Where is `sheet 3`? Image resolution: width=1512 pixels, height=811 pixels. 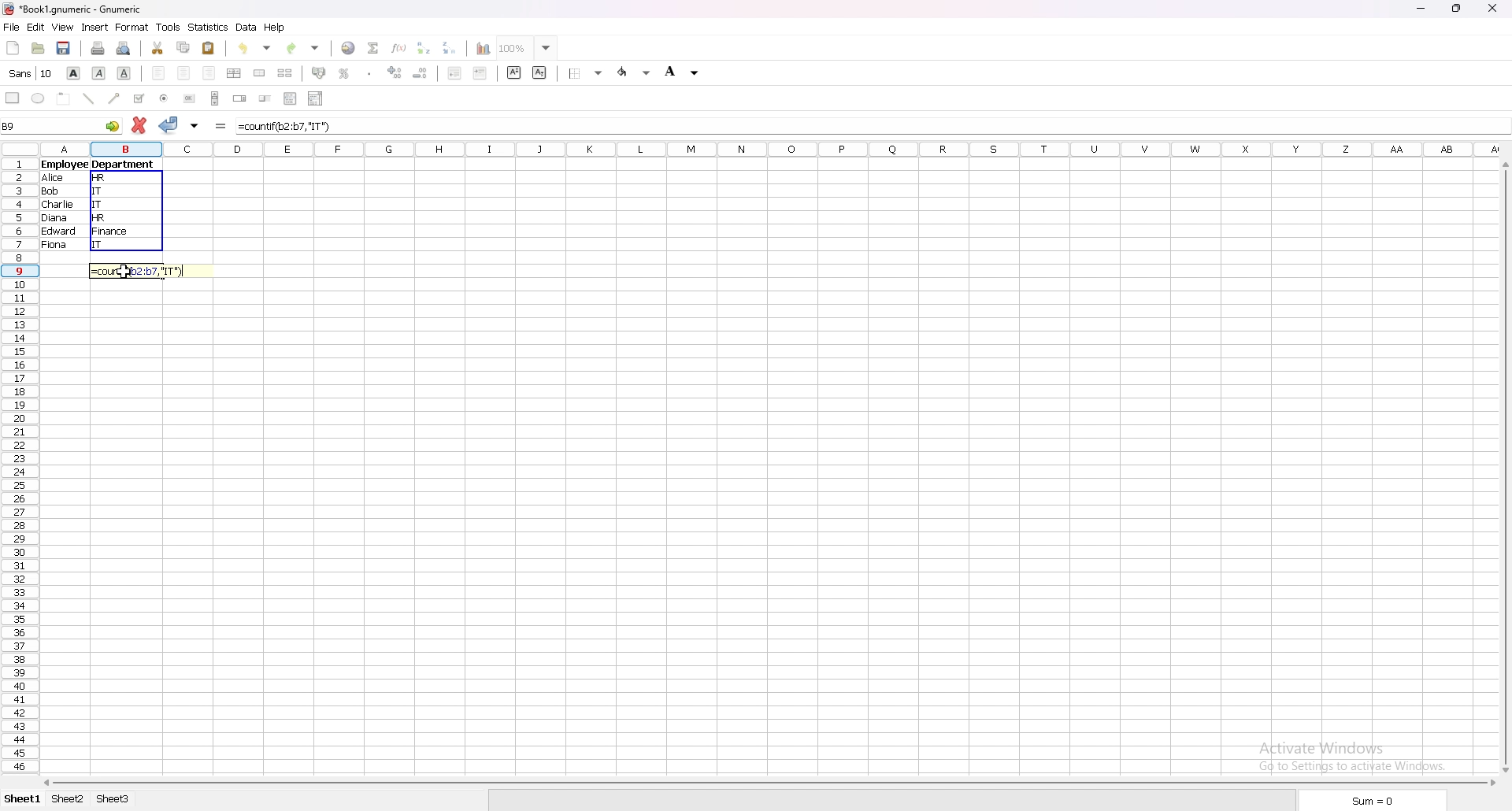 sheet 3 is located at coordinates (114, 799).